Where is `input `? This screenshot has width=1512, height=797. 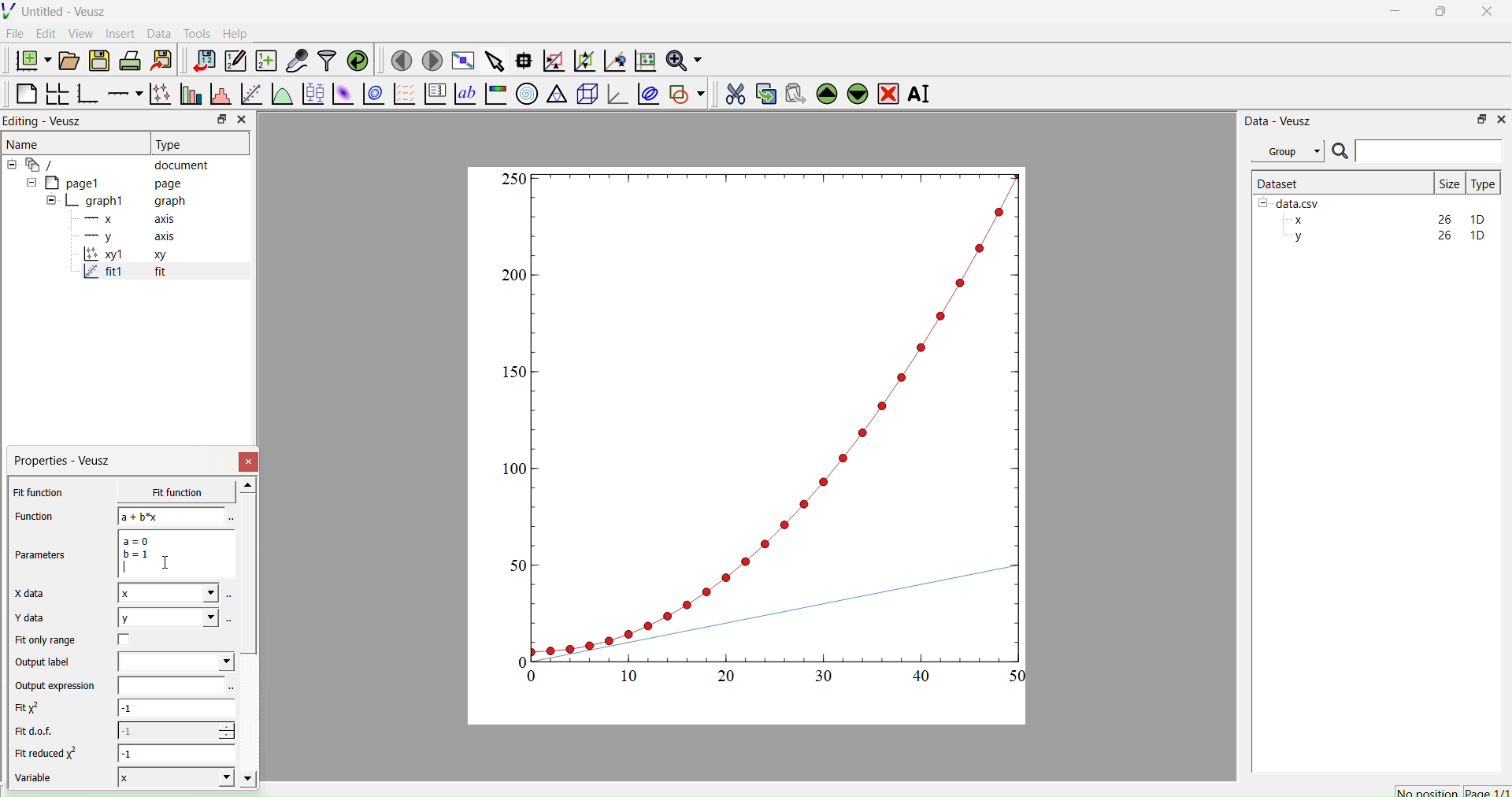 input  is located at coordinates (169, 685).